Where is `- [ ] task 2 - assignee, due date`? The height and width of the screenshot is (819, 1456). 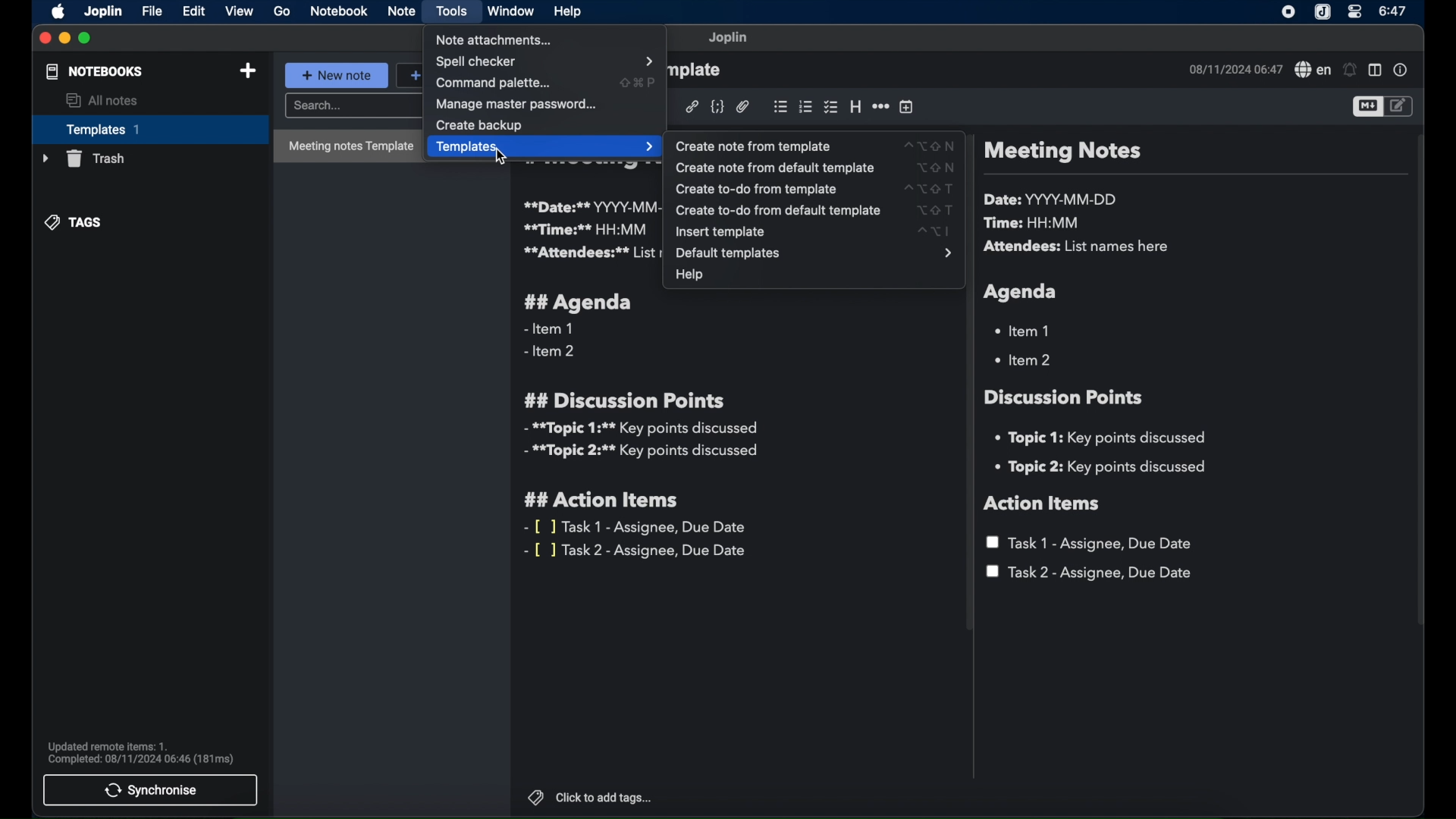
- [ ] task 2 - assignee, due date is located at coordinates (638, 551).